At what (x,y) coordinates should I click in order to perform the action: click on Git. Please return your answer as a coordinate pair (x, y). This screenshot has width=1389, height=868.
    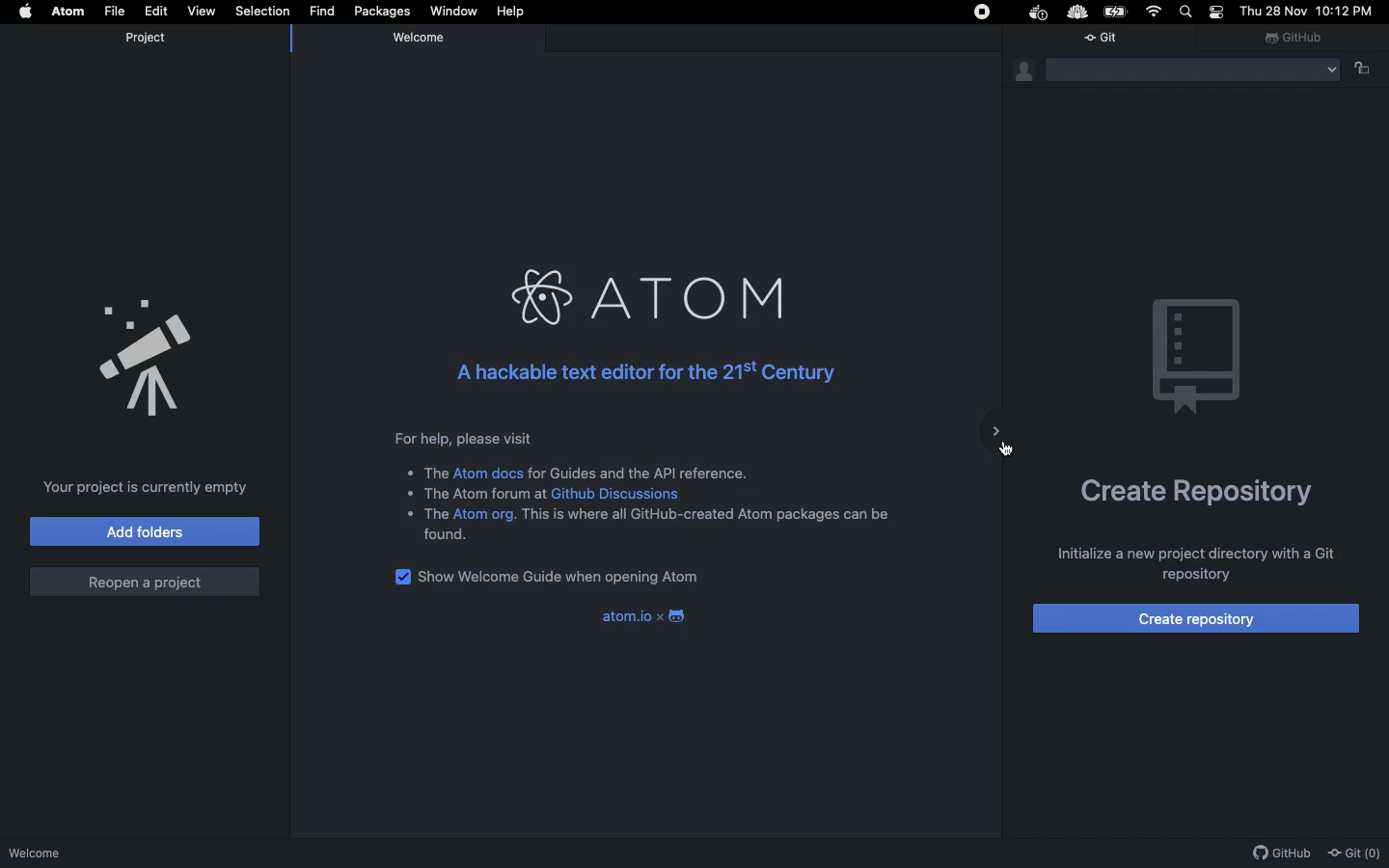
    Looking at the image, I should click on (1110, 42).